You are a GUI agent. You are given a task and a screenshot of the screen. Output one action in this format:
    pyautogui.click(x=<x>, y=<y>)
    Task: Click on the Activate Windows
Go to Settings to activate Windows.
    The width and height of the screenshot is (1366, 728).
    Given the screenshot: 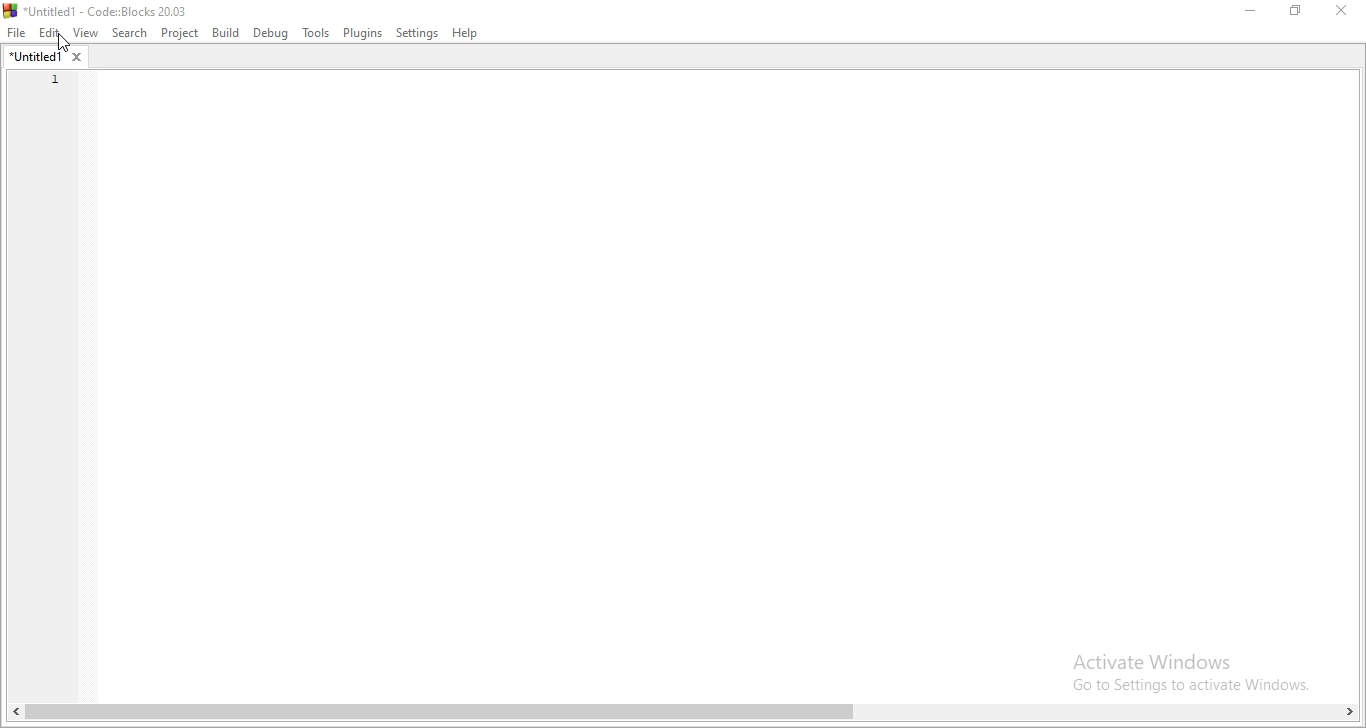 What is the action you would take?
    pyautogui.click(x=1193, y=670)
    